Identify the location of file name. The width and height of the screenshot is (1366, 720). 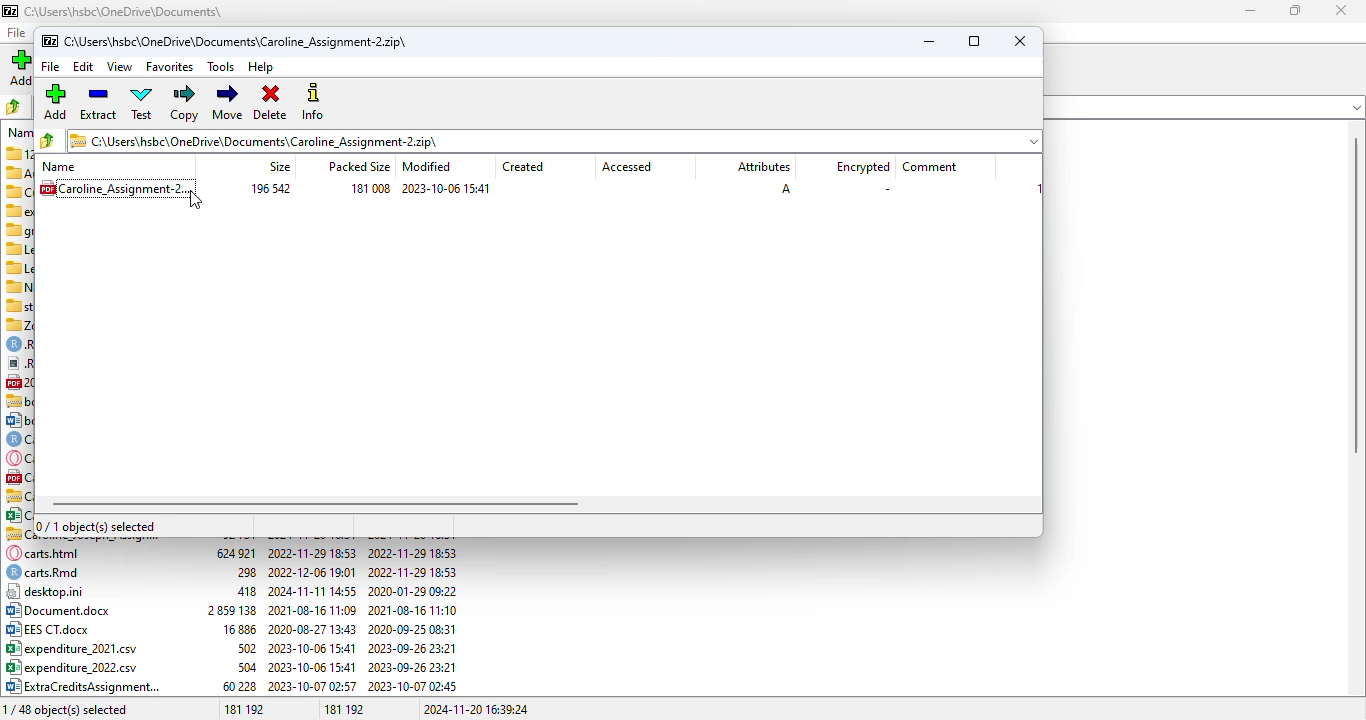
(237, 42).